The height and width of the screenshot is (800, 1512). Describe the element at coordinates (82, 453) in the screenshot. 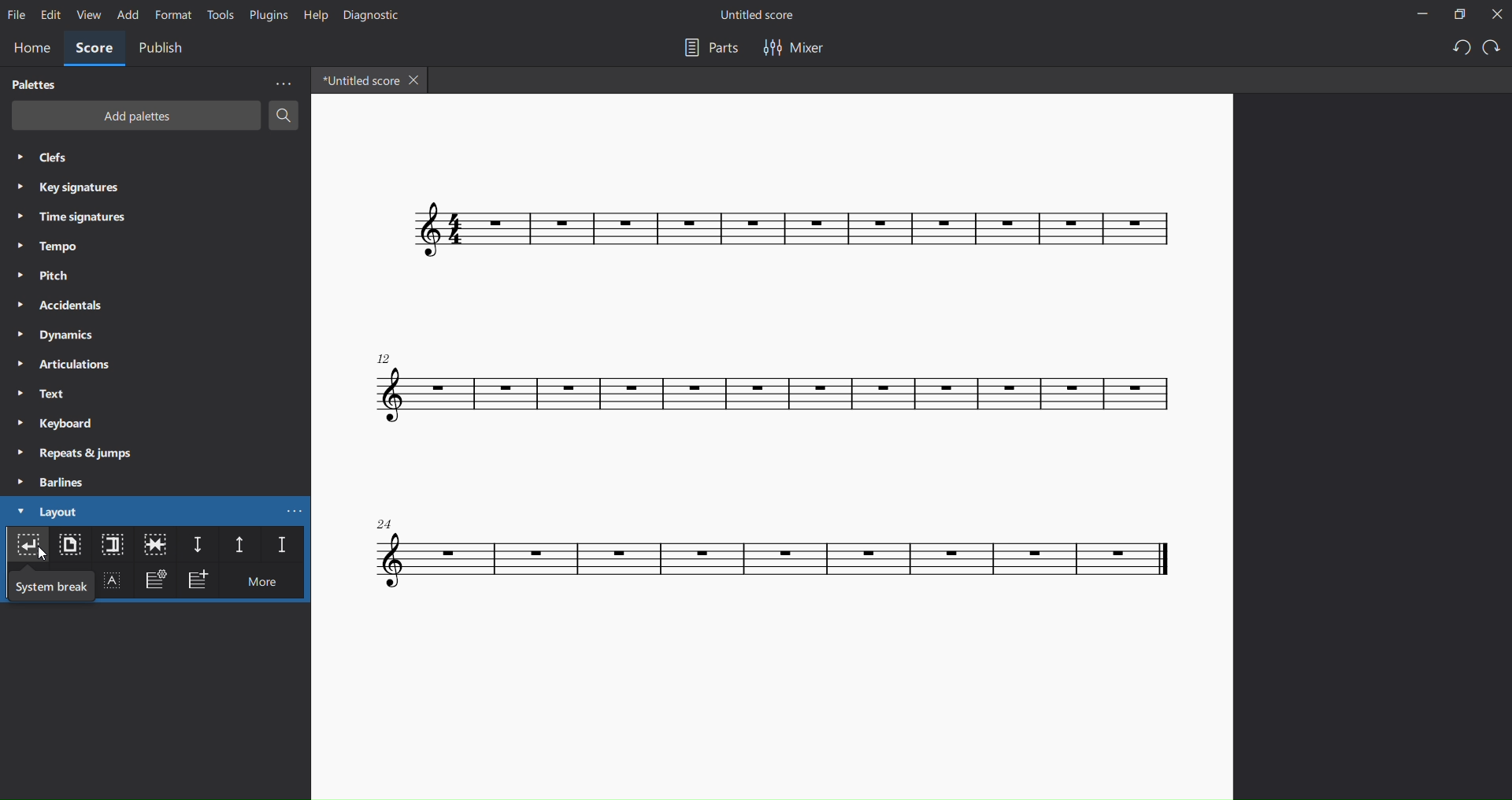

I see `repeats and jumps` at that location.